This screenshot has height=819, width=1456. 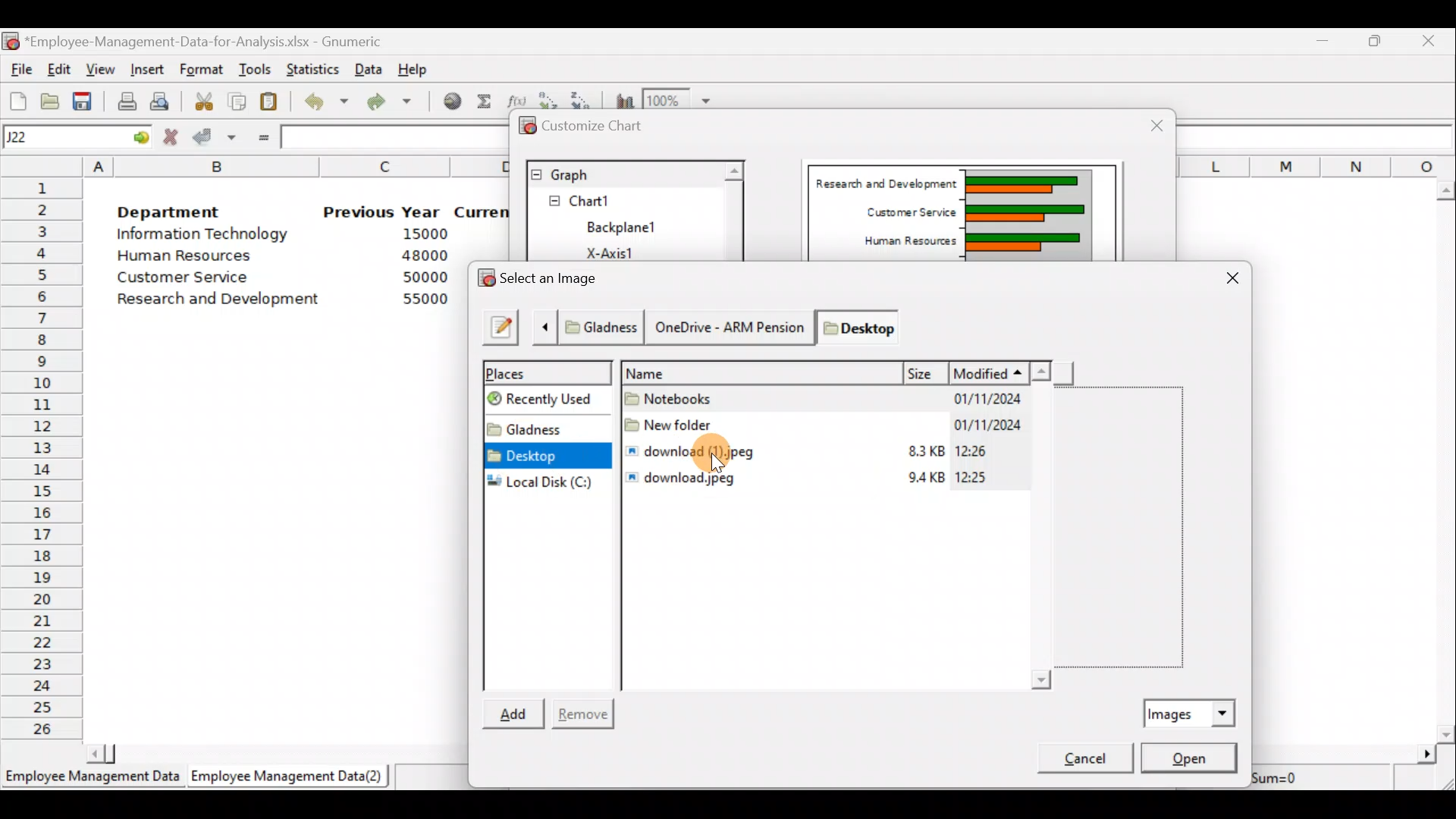 I want to click on Desktop, so click(x=547, y=454).